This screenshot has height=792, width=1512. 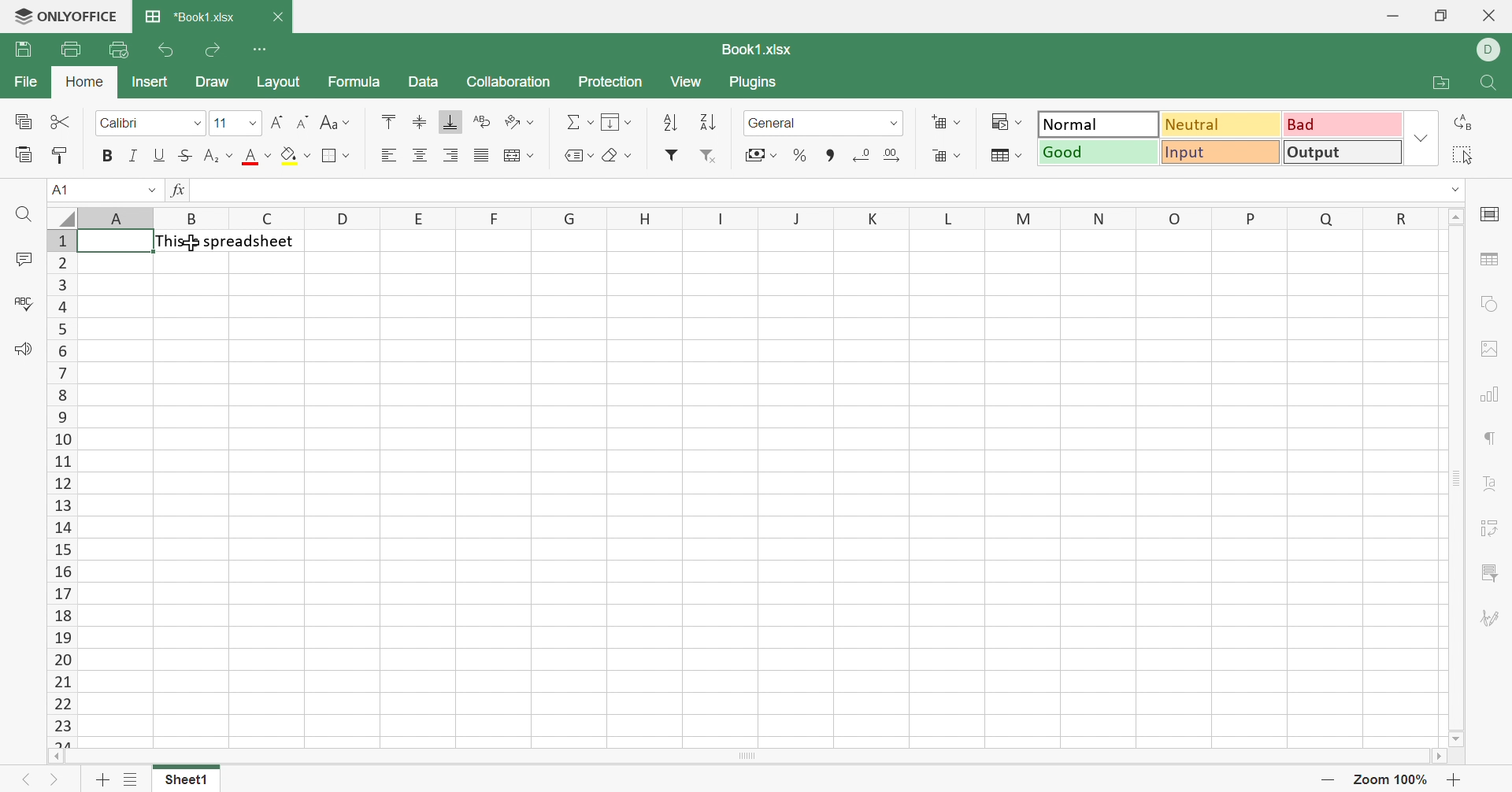 What do you see at coordinates (1488, 531) in the screenshot?
I see `Pivot Table settings` at bounding box center [1488, 531].